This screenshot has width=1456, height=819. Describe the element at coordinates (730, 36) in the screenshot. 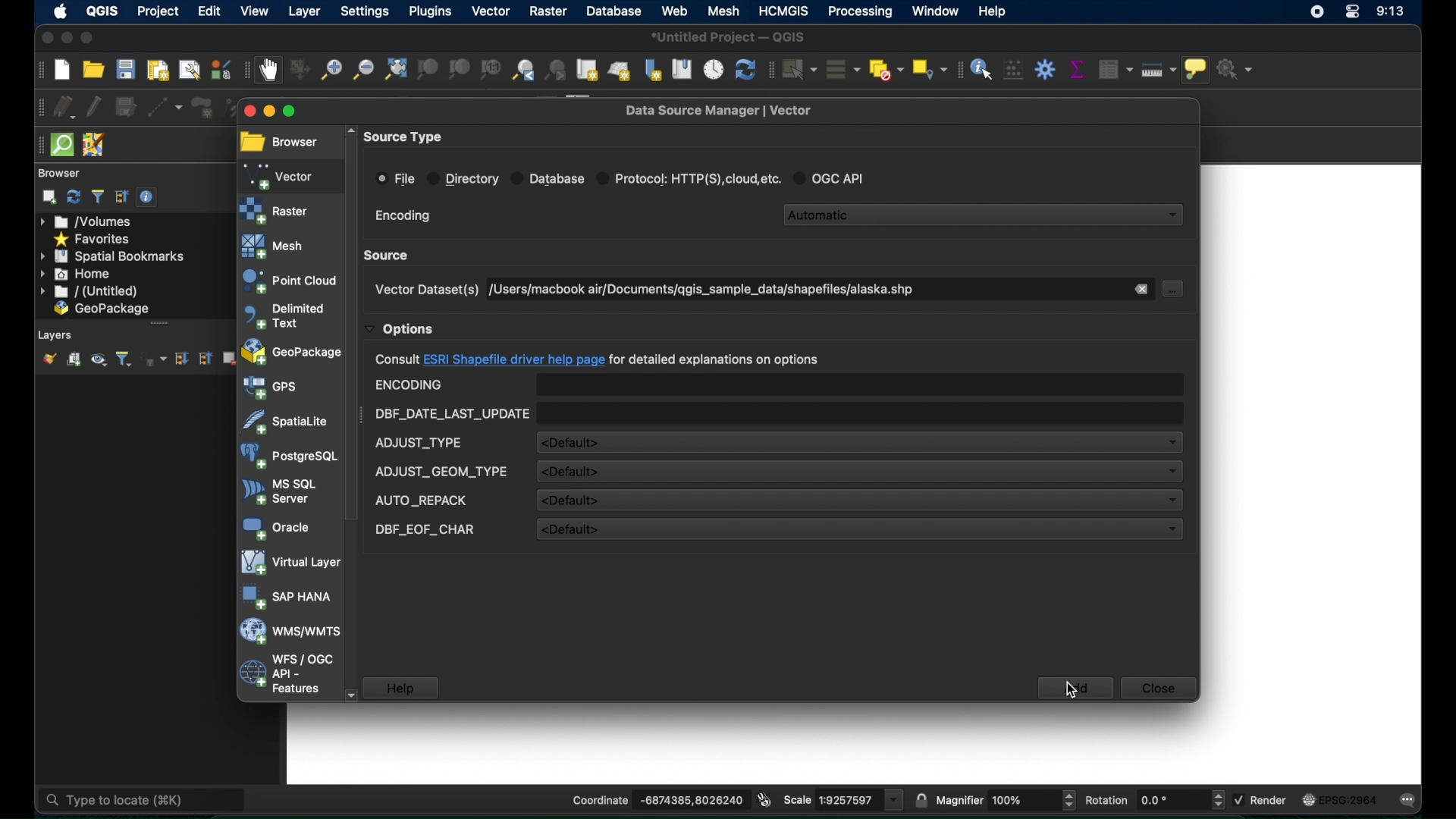

I see `*Untitled Project - QGIS` at that location.